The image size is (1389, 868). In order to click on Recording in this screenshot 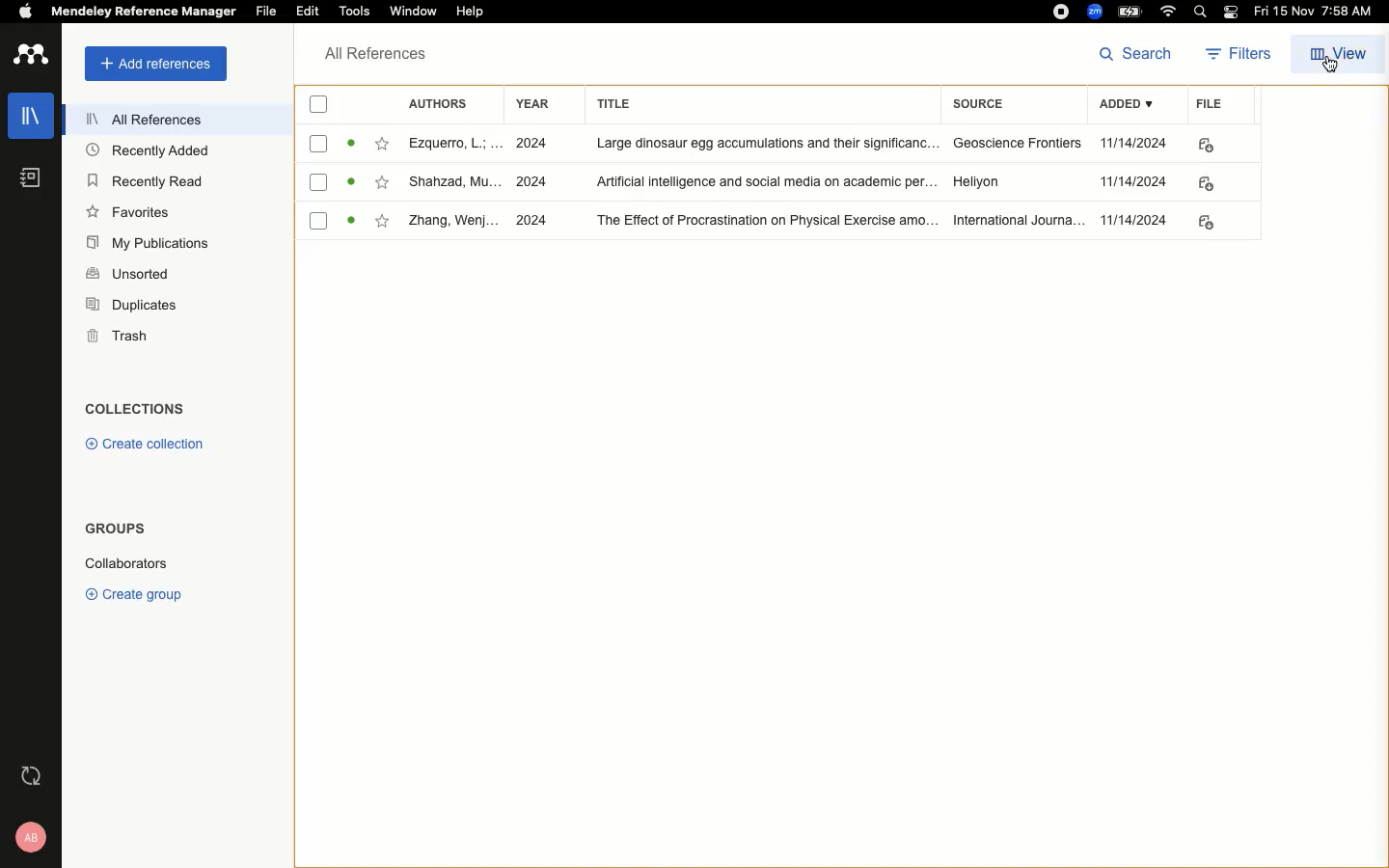, I will do `click(1060, 12)`.